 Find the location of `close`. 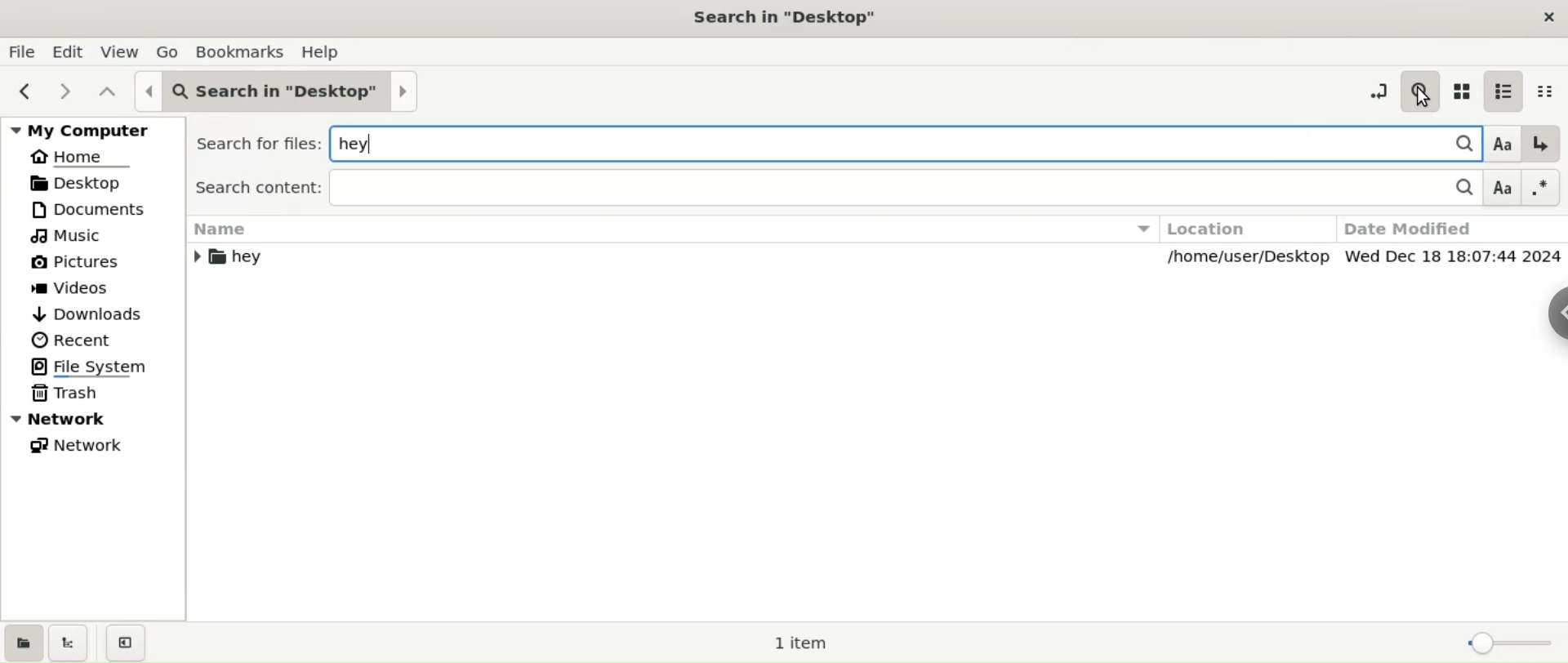

close is located at coordinates (1547, 16).